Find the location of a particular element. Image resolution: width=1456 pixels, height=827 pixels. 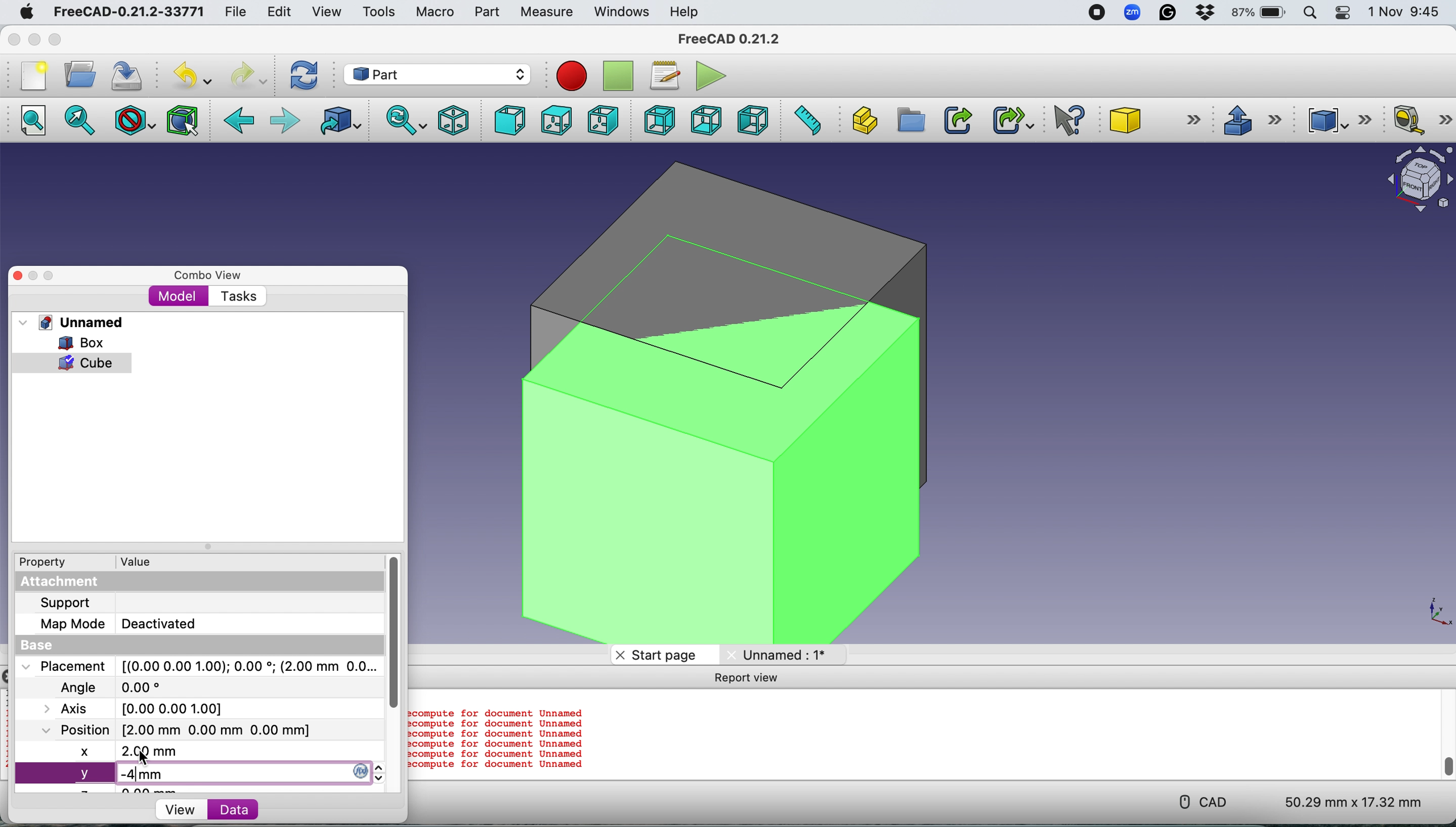

Bounding box is located at coordinates (184, 119).